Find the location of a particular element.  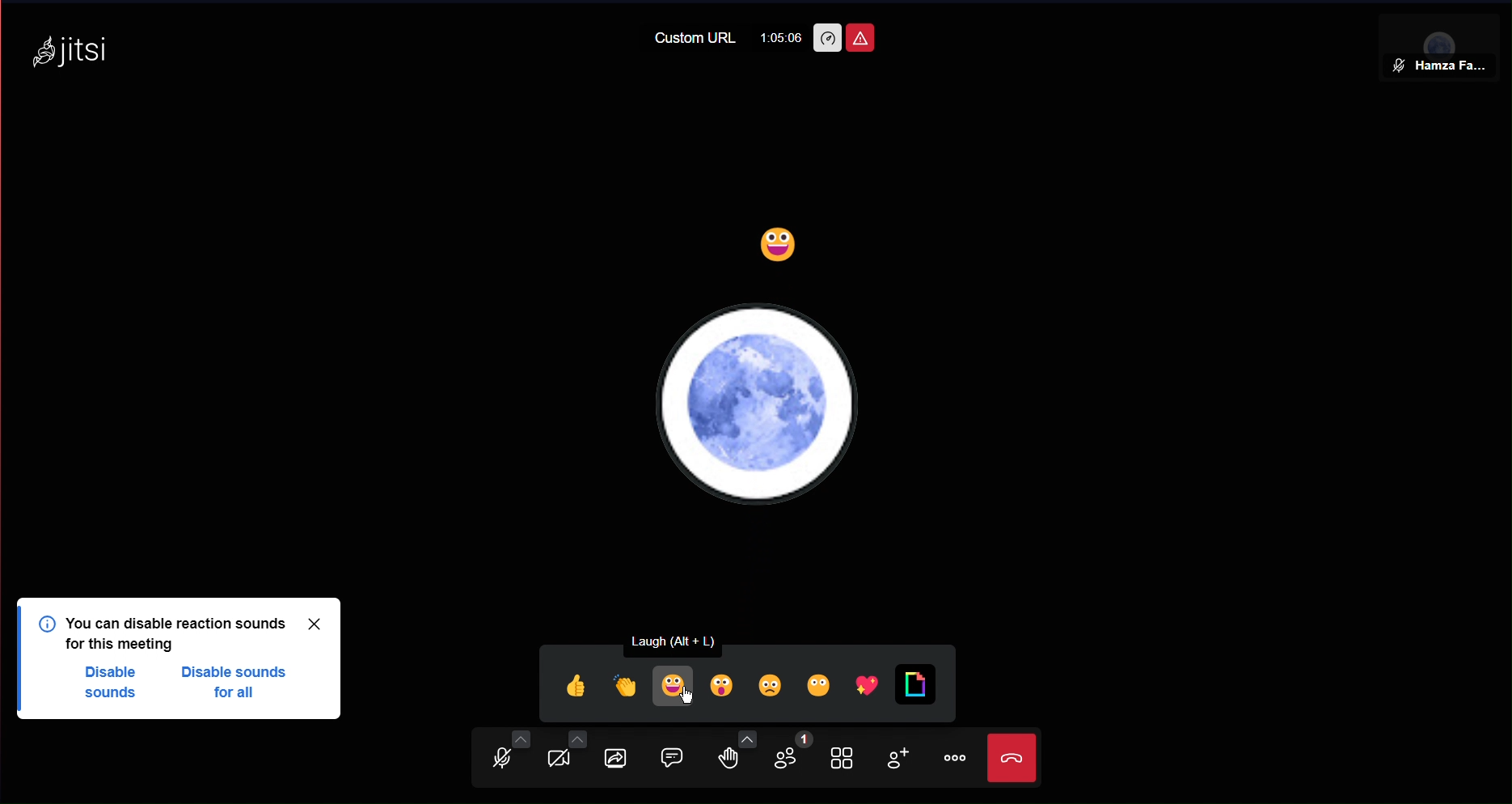

Share Screen is located at coordinates (624, 760).